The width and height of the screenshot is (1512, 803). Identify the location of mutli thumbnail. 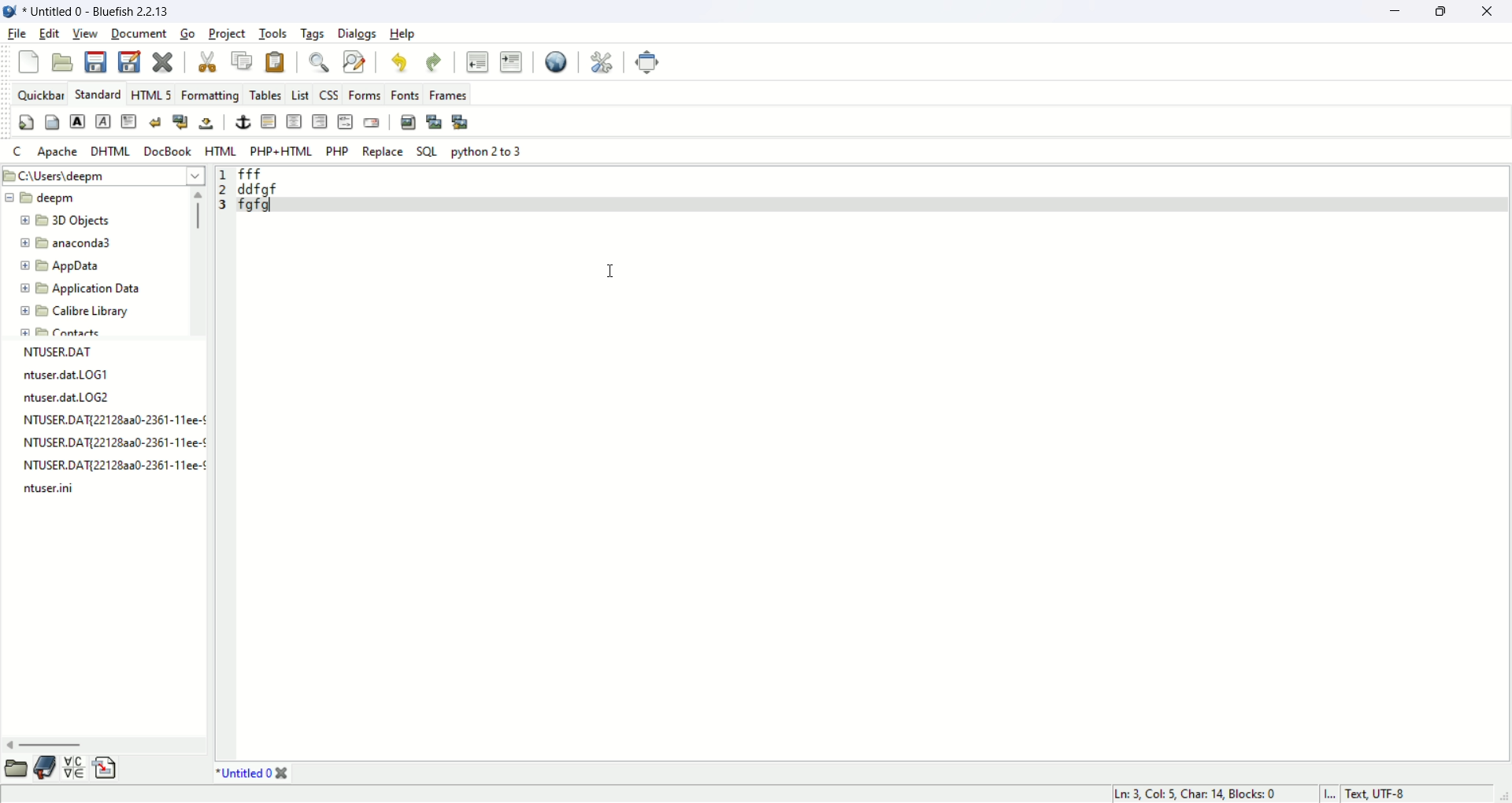
(458, 120).